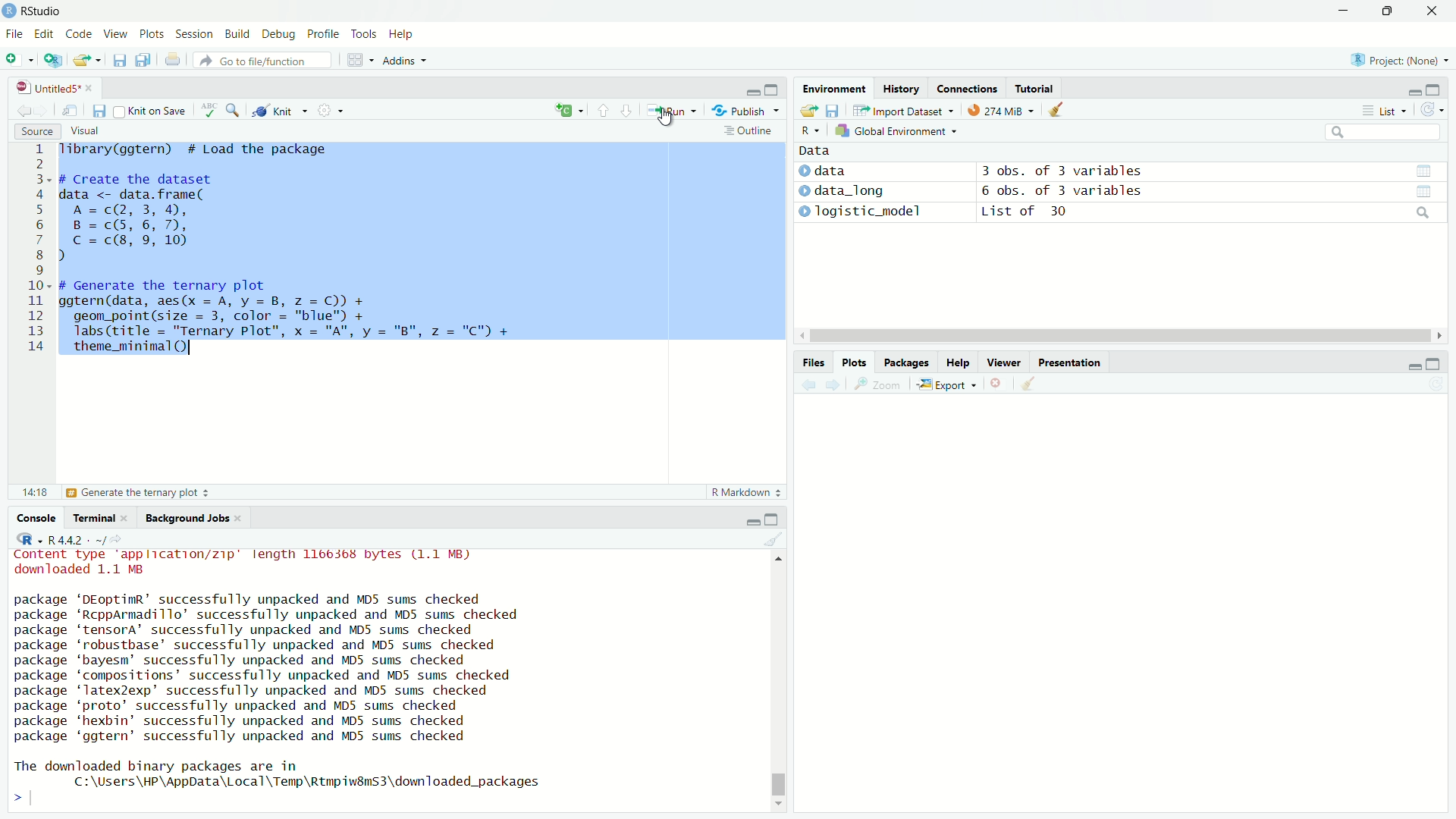 The height and width of the screenshot is (819, 1456). I want to click on Profile, so click(321, 34).